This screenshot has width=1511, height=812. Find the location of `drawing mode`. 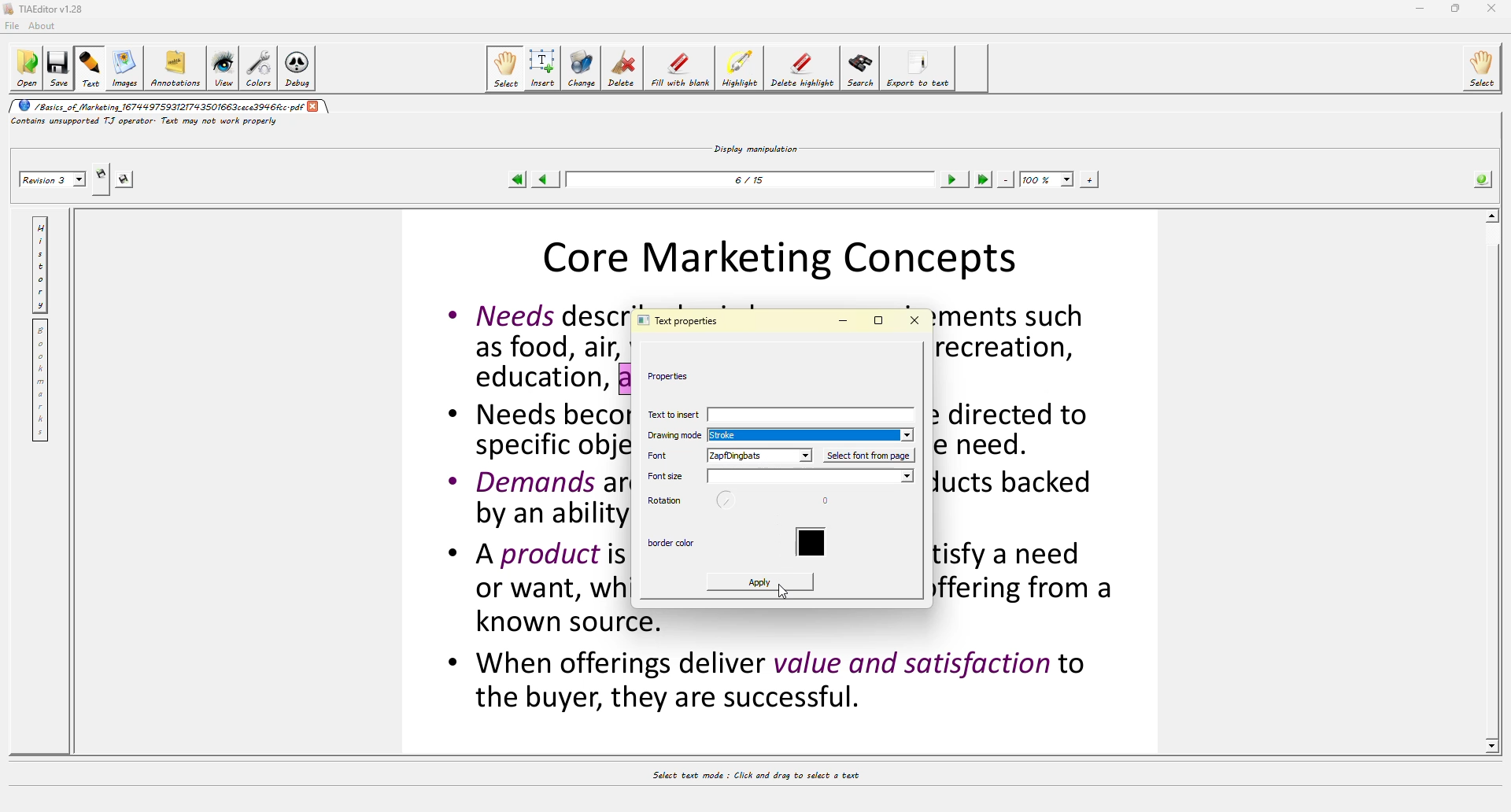

drawing mode is located at coordinates (672, 437).